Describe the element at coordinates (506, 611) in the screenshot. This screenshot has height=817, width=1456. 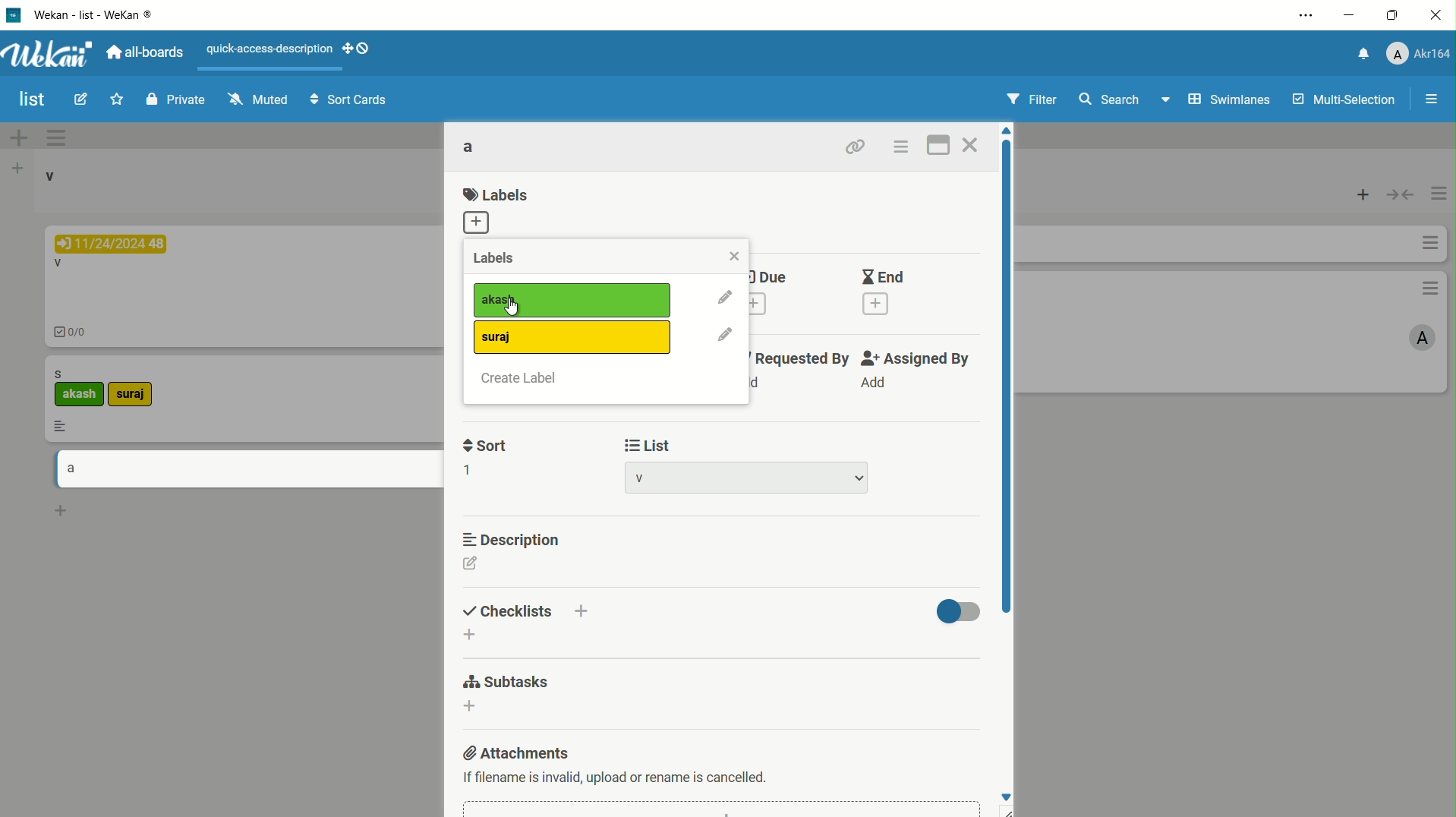
I see `checklists` at that location.